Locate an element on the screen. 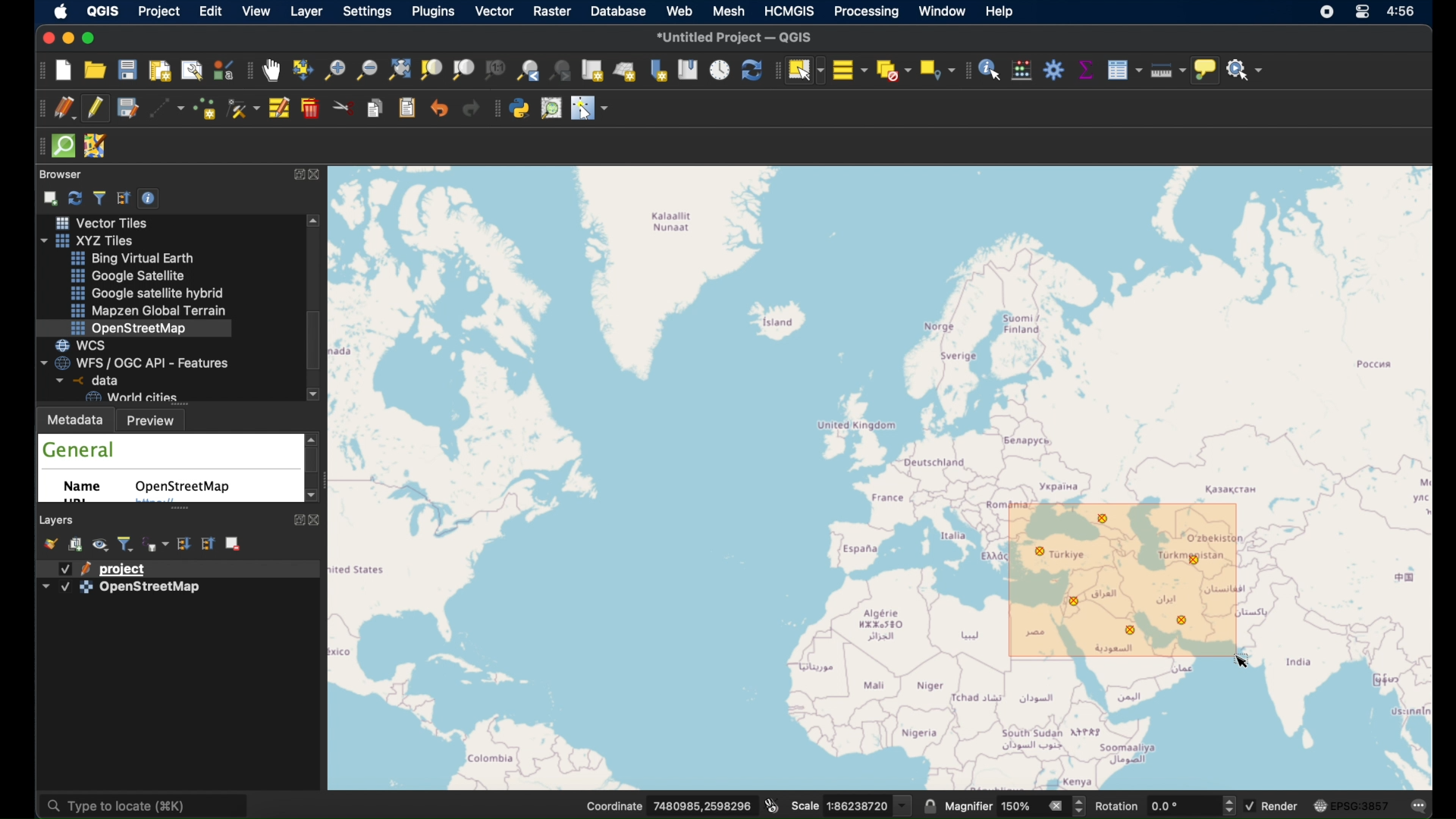  google satellite hybrid is located at coordinates (145, 293).